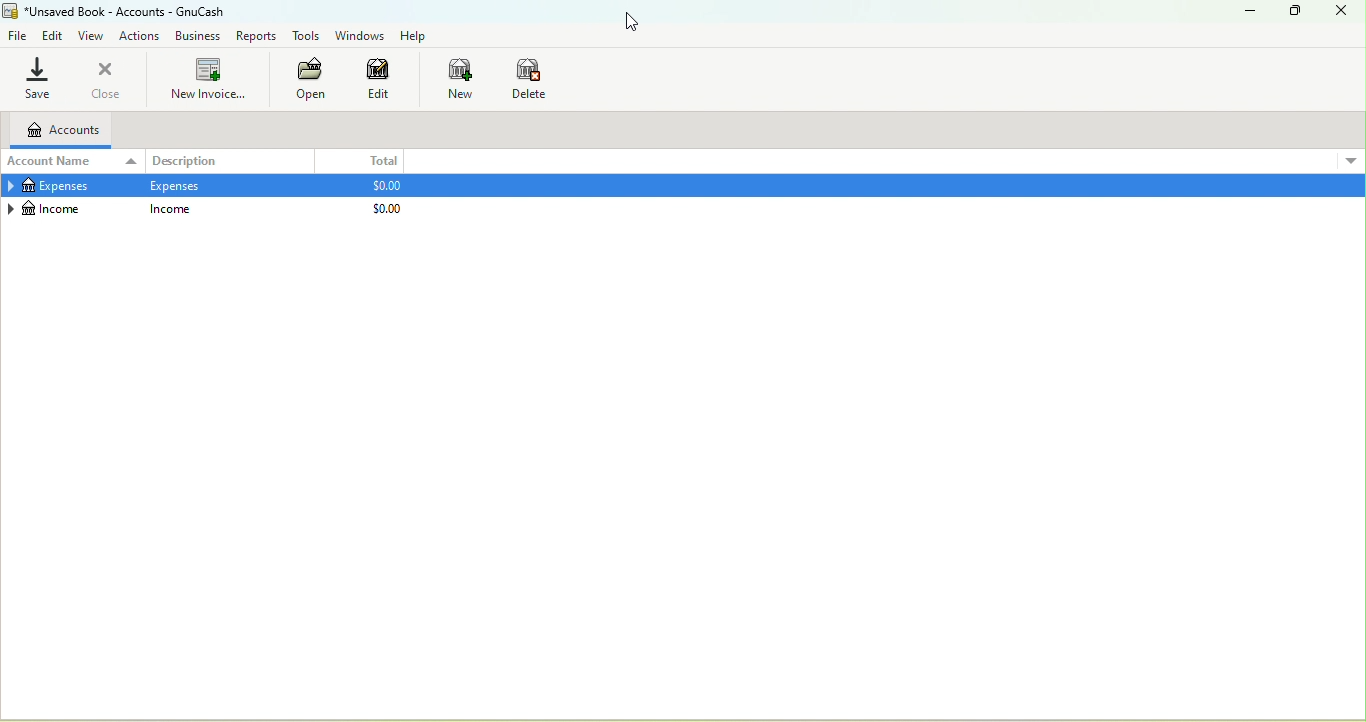 The height and width of the screenshot is (722, 1366). I want to click on File, so click(18, 37).